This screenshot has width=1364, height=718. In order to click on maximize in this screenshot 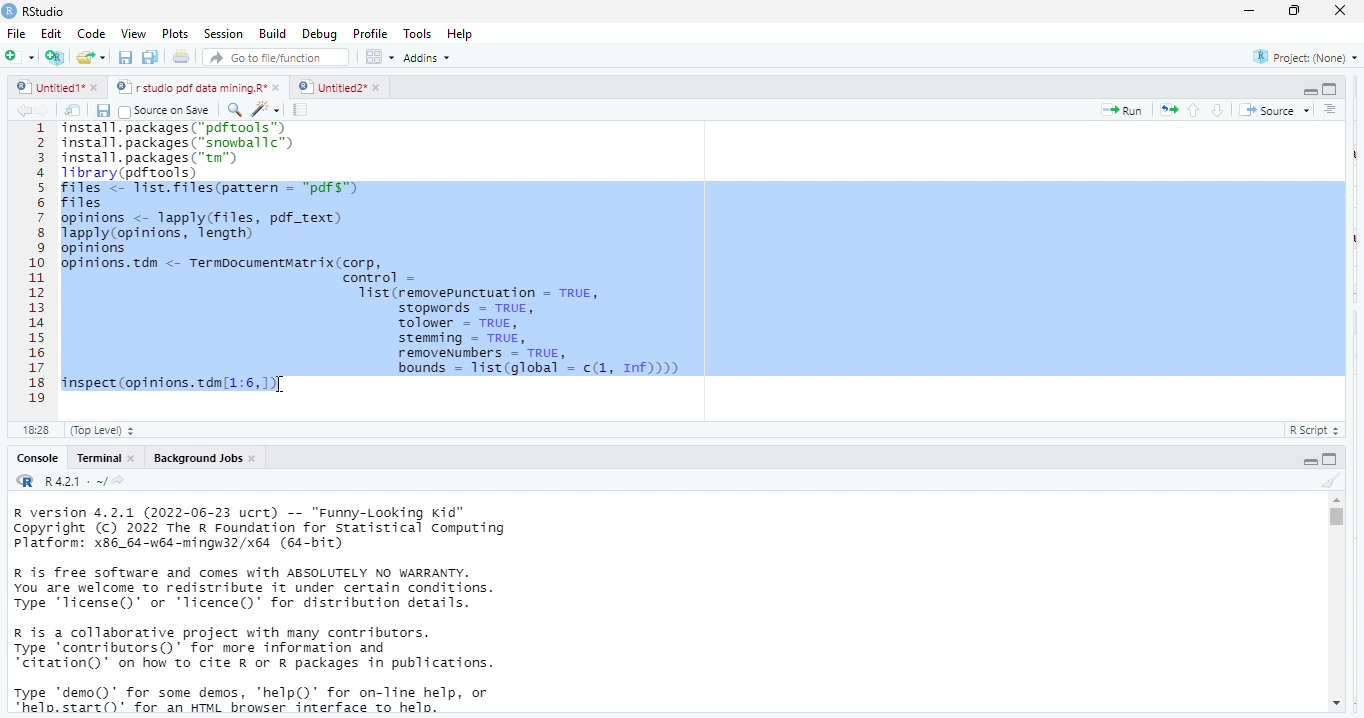, I will do `click(1297, 12)`.